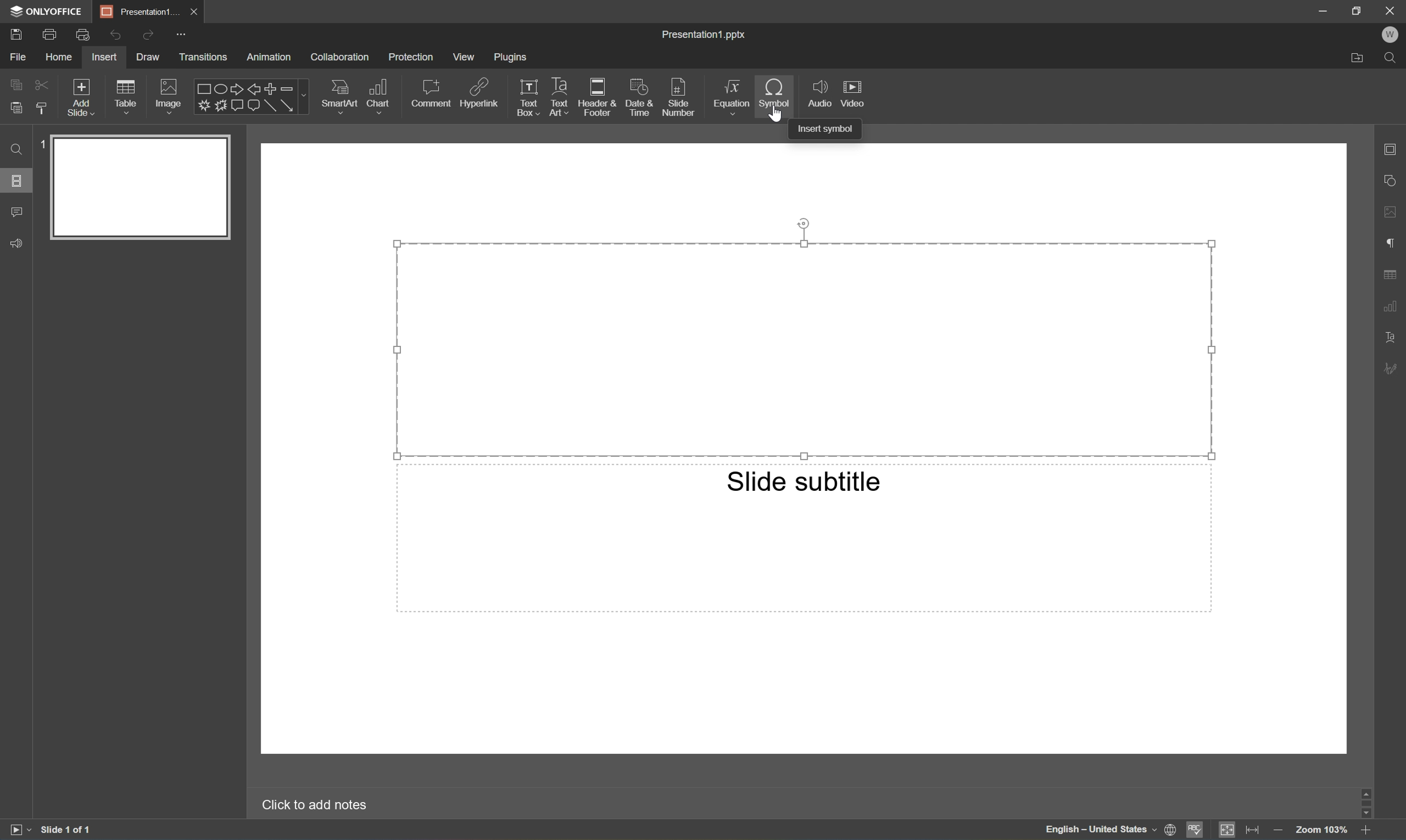 This screenshot has width=1406, height=840. I want to click on Chart settings, so click(1391, 307).